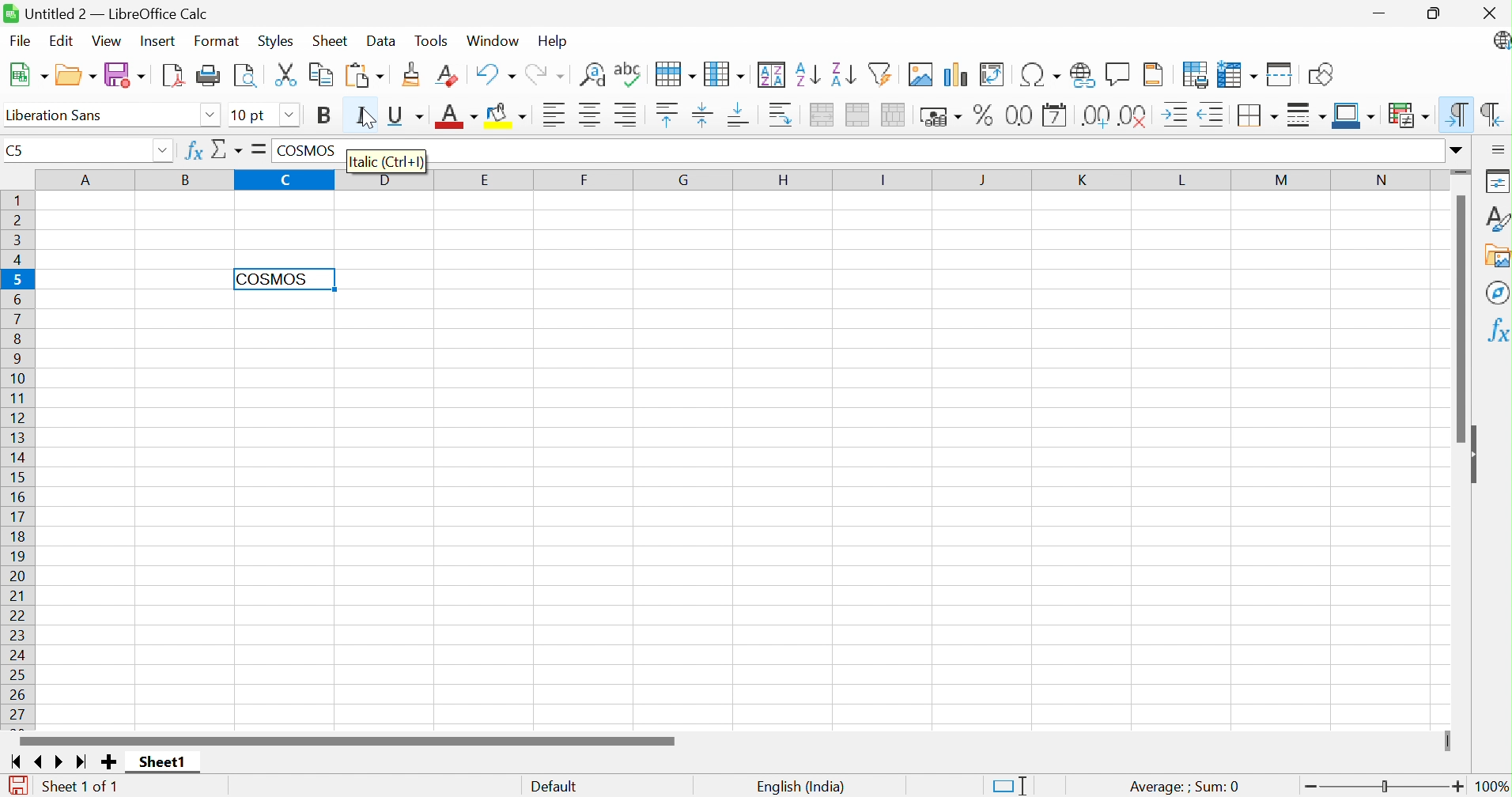  Describe the element at coordinates (1461, 318) in the screenshot. I see `Scroll bar` at that location.